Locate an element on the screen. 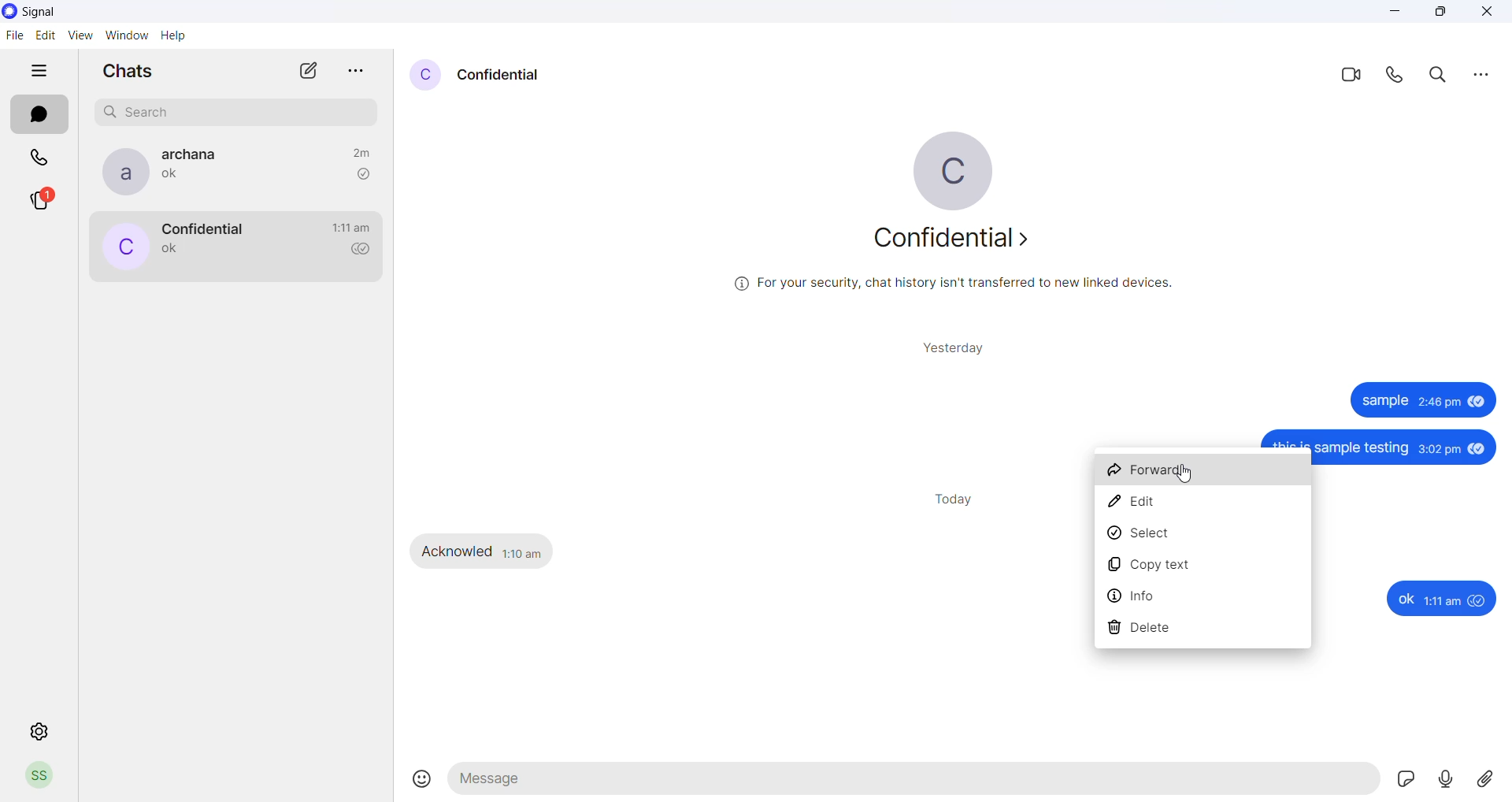 The image size is (1512, 802). more options is located at coordinates (1480, 73).